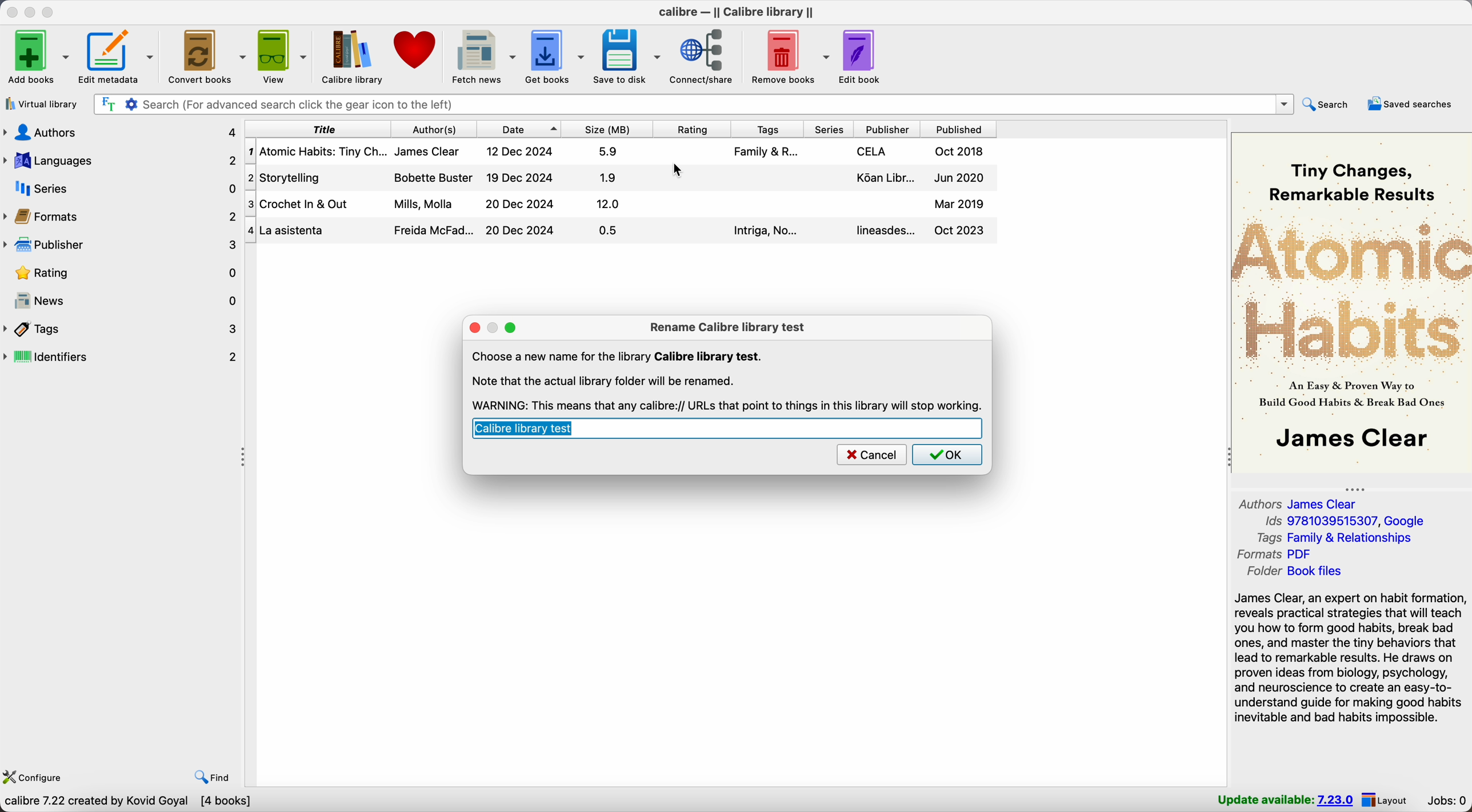  Describe the element at coordinates (627, 56) in the screenshot. I see `save to disk` at that location.